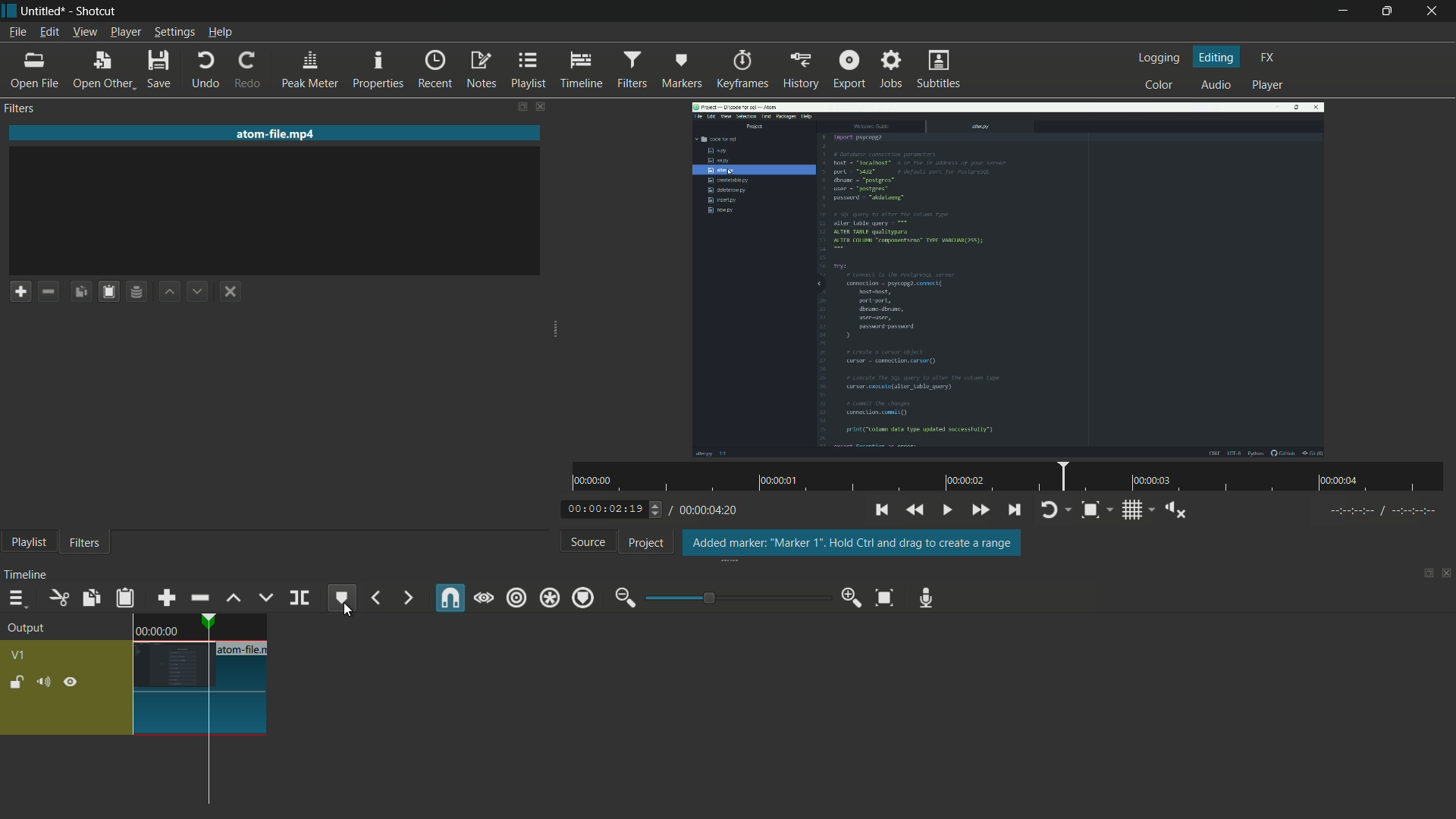 The height and width of the screenshot is (819, 1456). What do you see at coordinates (48, 291) in the screenshot?
I see `remove filter` at bounding box center [48, 291].